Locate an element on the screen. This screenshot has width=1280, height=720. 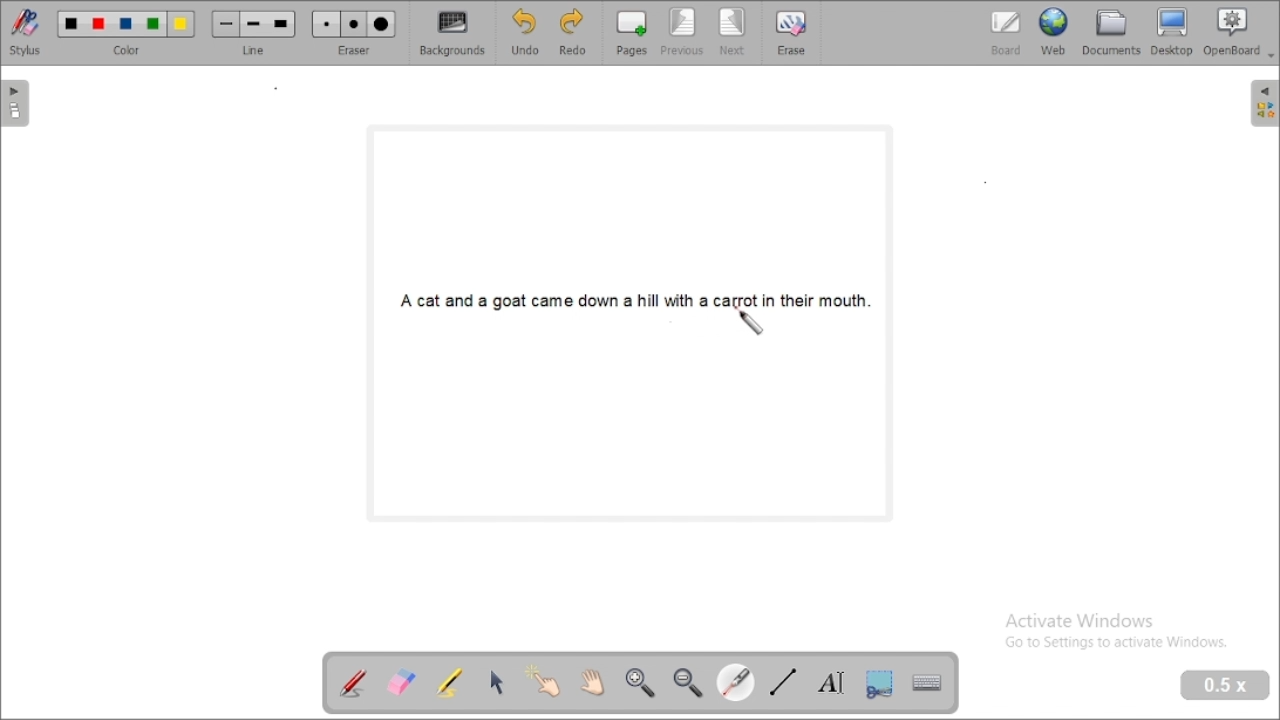
redo is located at coordinates (573, 34).